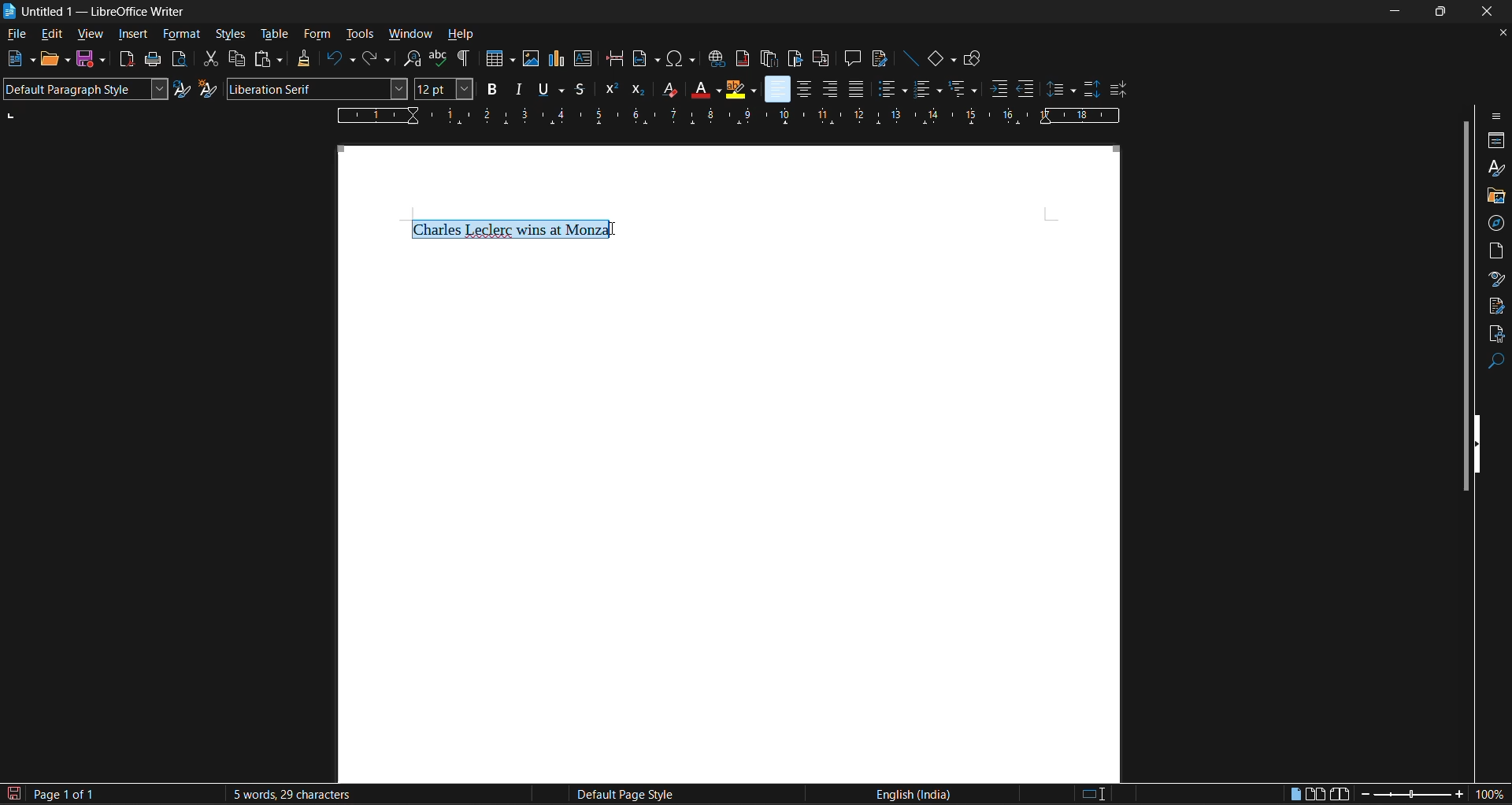  I want to click on save, so click(90, 60).